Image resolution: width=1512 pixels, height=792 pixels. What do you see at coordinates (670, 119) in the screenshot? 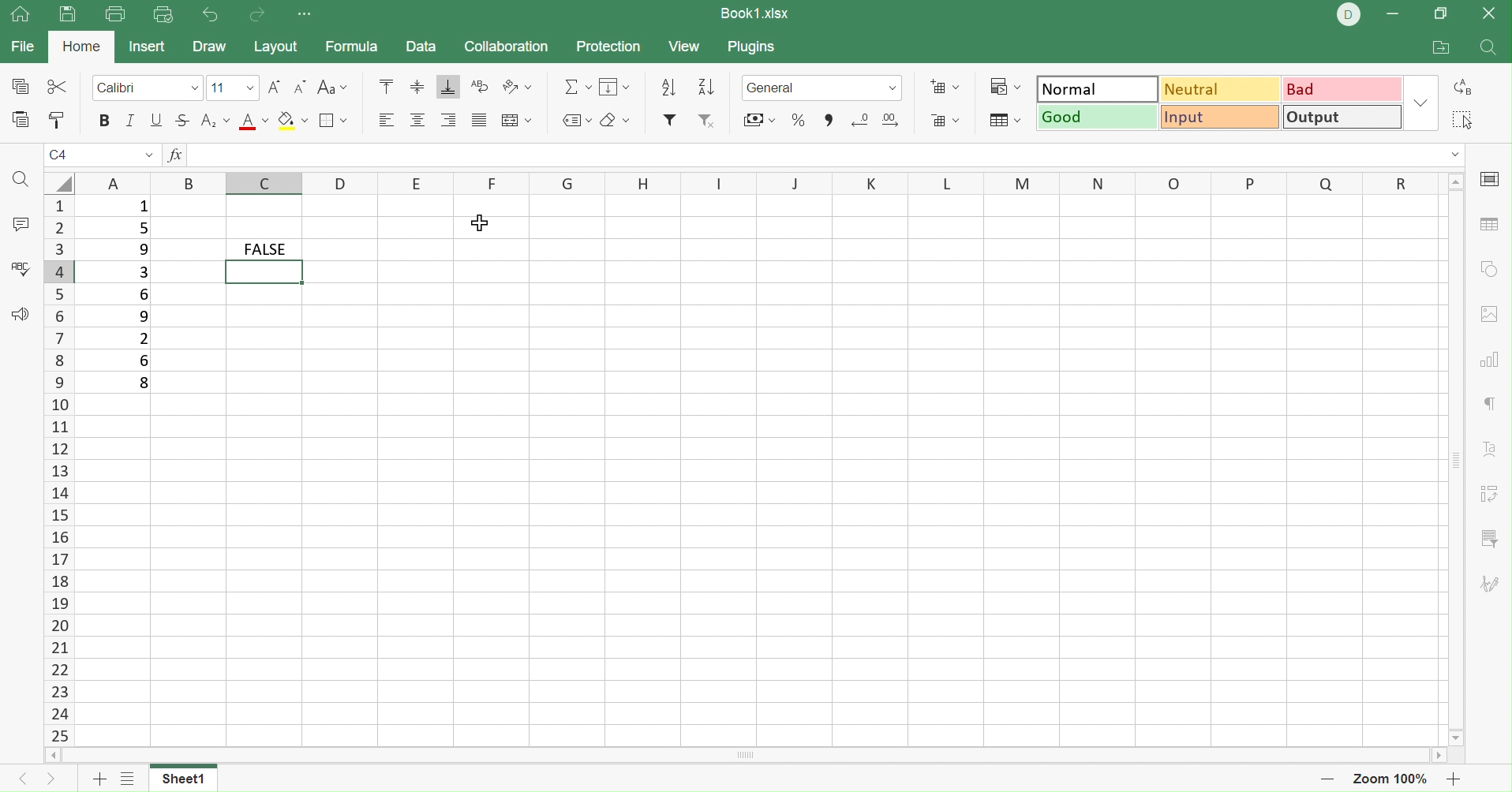
I see `Filter` at bounding box center [670, 119].